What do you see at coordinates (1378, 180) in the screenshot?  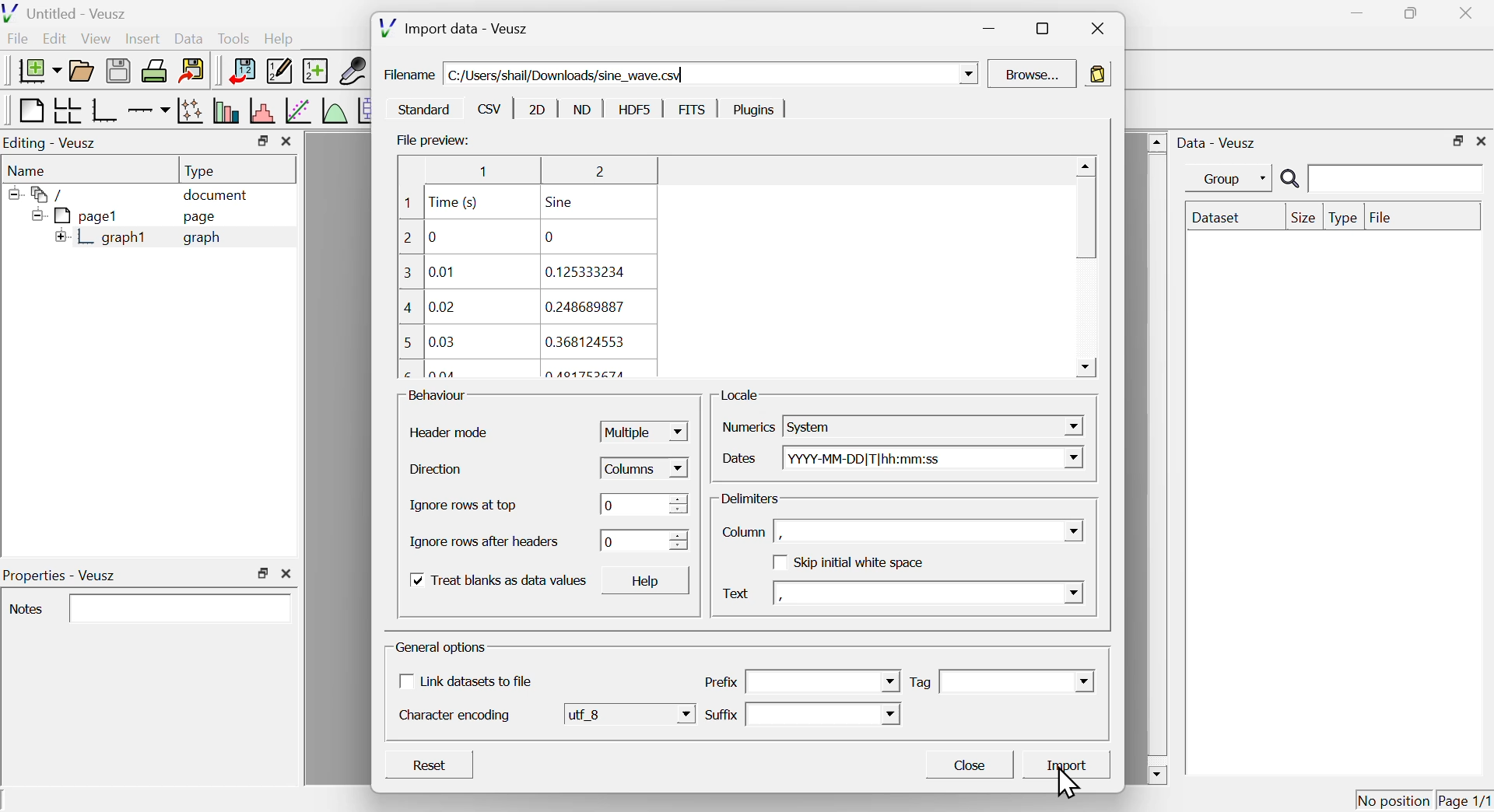 I see `search` at bounding box center [1378, 180].